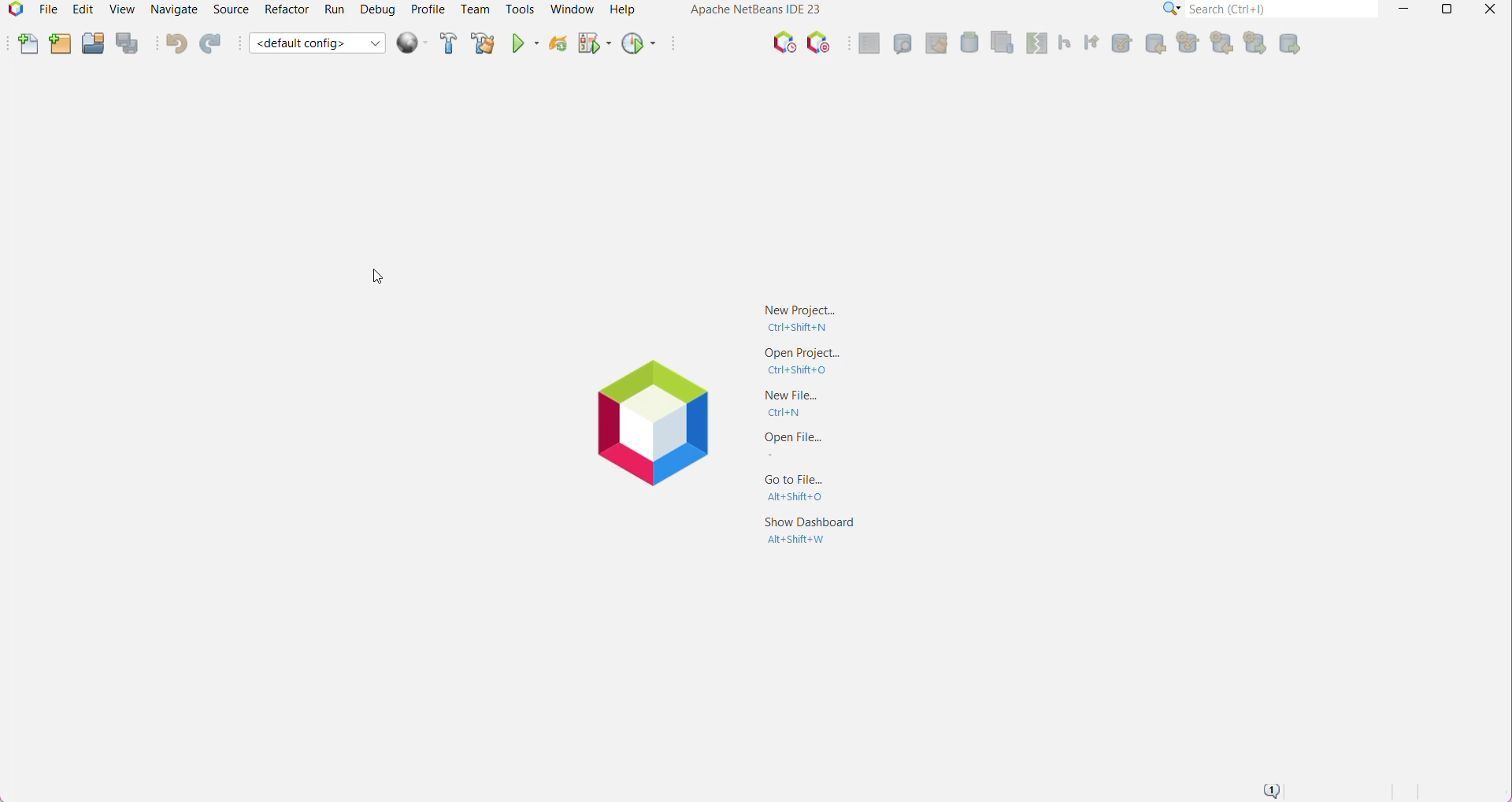  Describe the element at coordinates (1121, 43) in the screenshot. I see `Pull from Upstream` at that location.